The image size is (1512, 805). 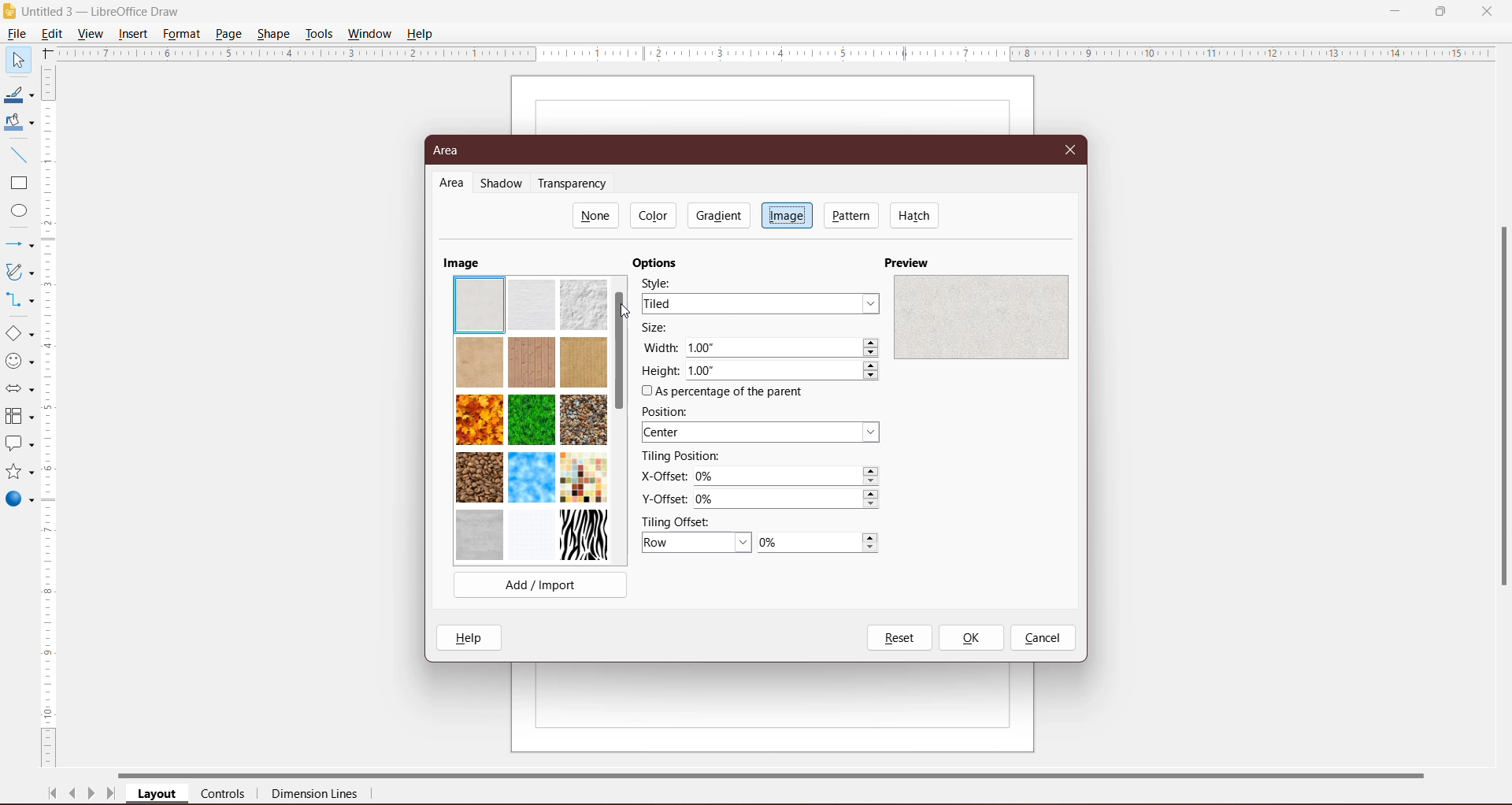 I want to click on As percentage of the present, so click(x=725, y=392).